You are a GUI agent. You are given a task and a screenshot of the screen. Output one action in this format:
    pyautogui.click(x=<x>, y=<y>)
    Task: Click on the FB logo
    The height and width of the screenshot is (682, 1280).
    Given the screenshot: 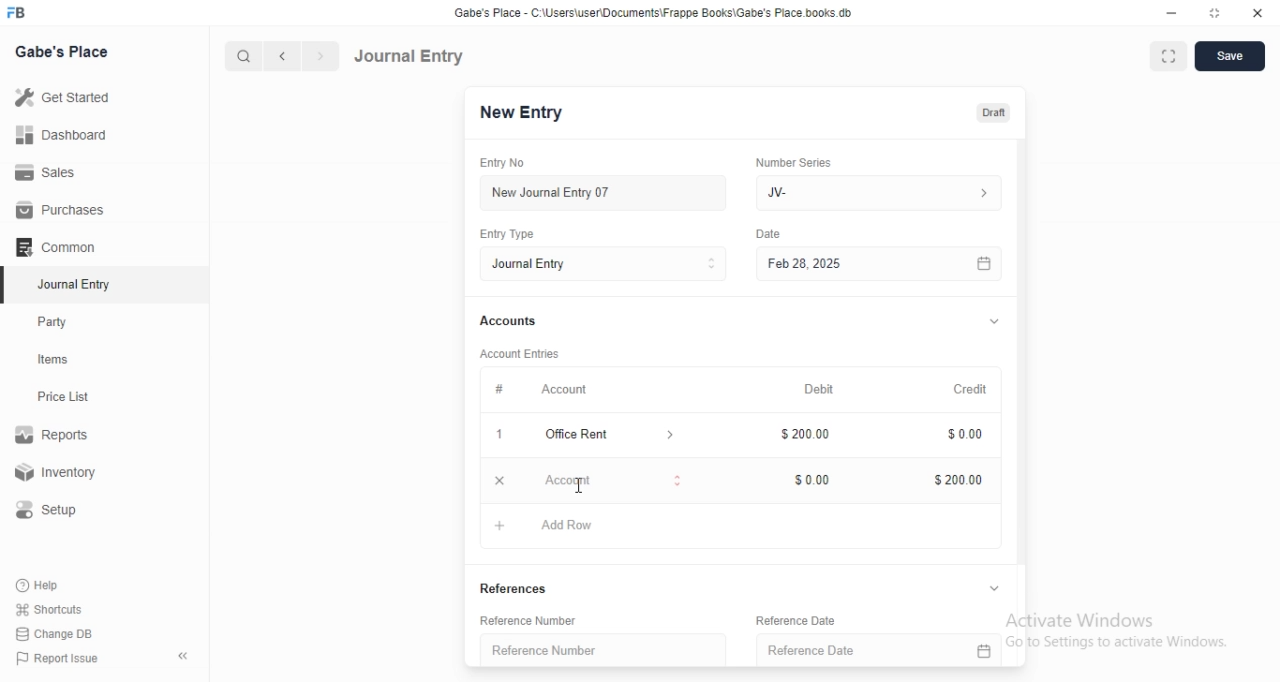 What is the action you would take?
    pyautogui.click(x=18, y=13)
    